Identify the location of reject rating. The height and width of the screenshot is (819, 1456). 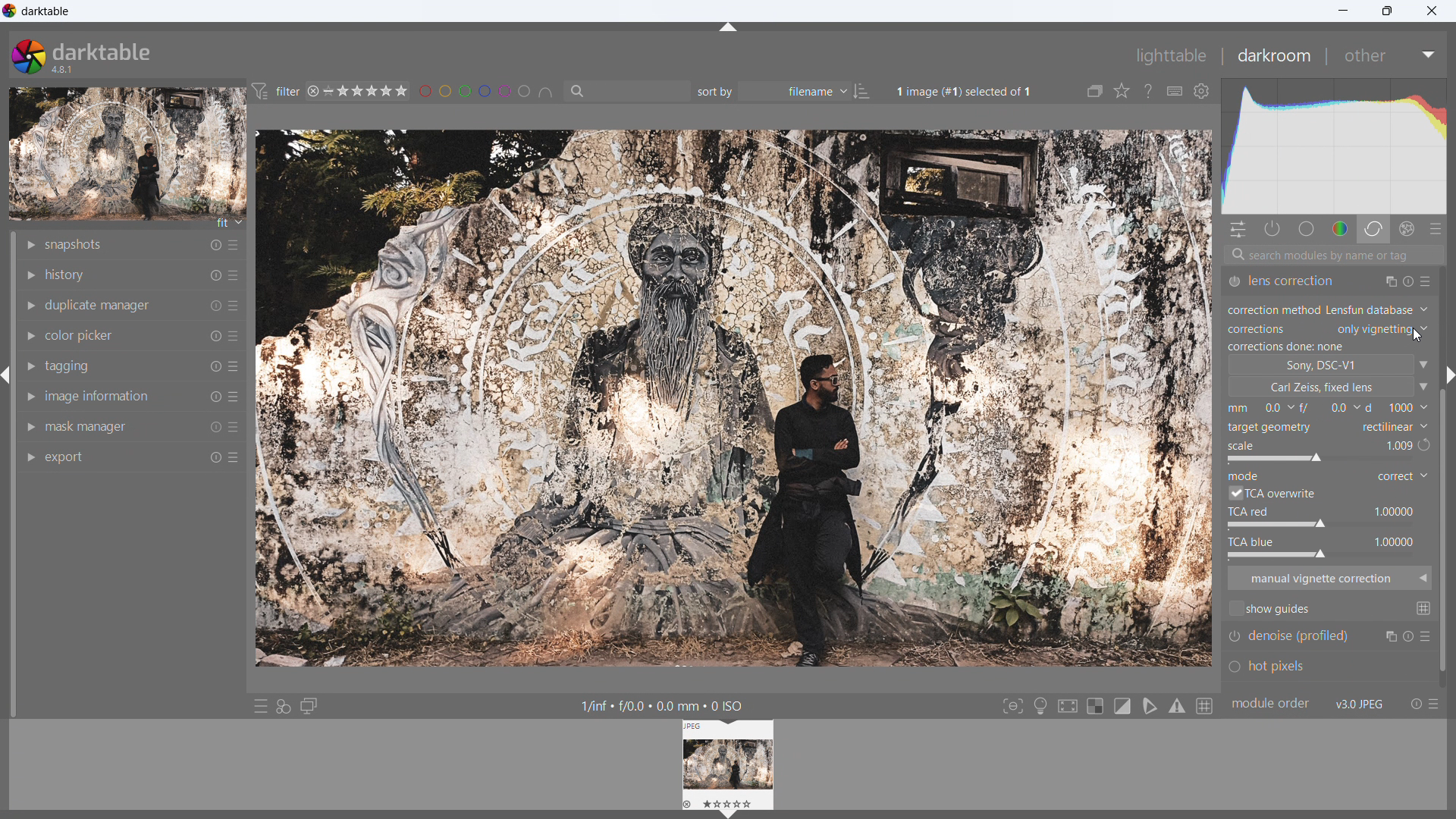
(314, 93).